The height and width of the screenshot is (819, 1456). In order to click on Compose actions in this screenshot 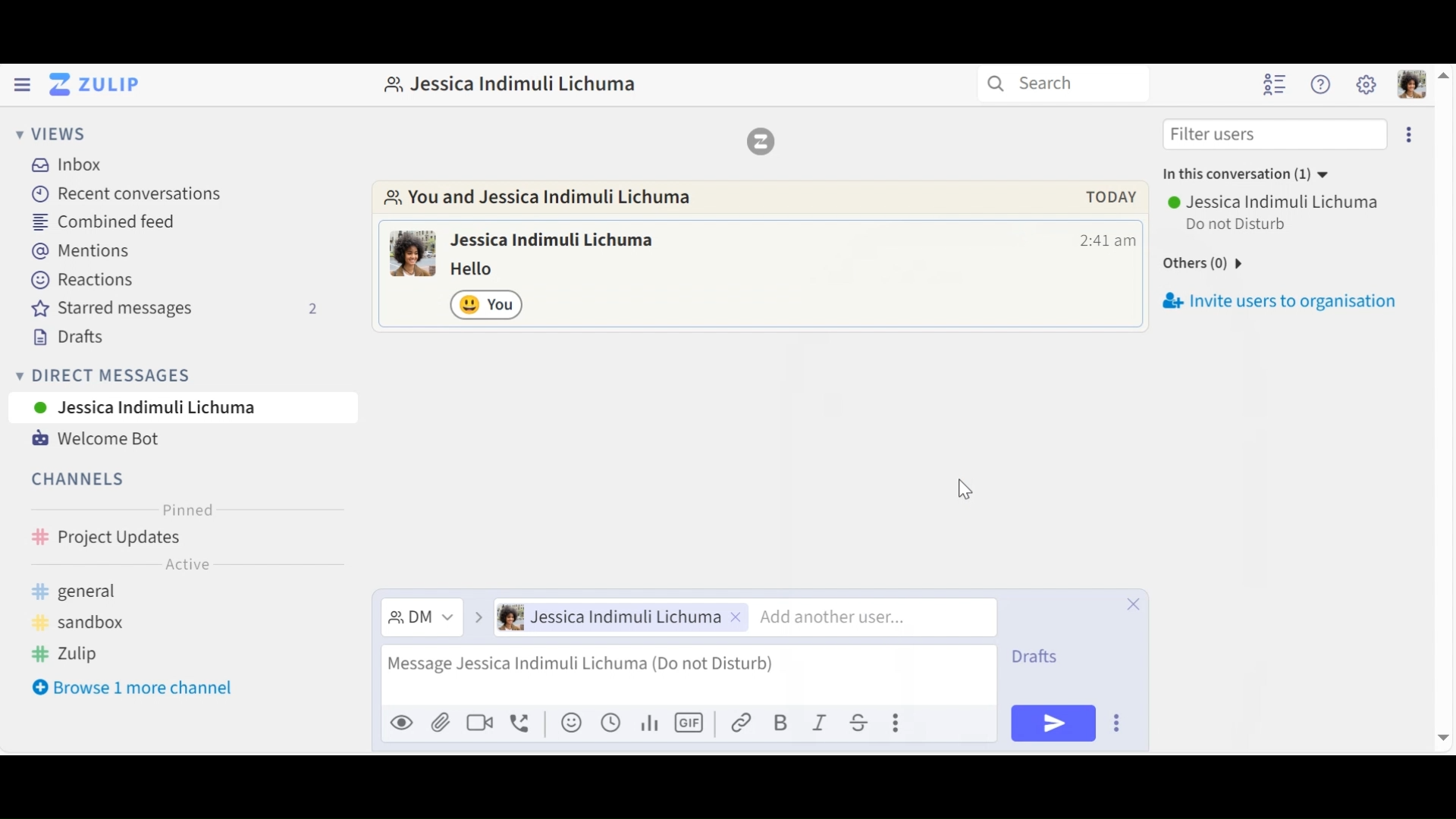, I will do `click(899, 721)`.